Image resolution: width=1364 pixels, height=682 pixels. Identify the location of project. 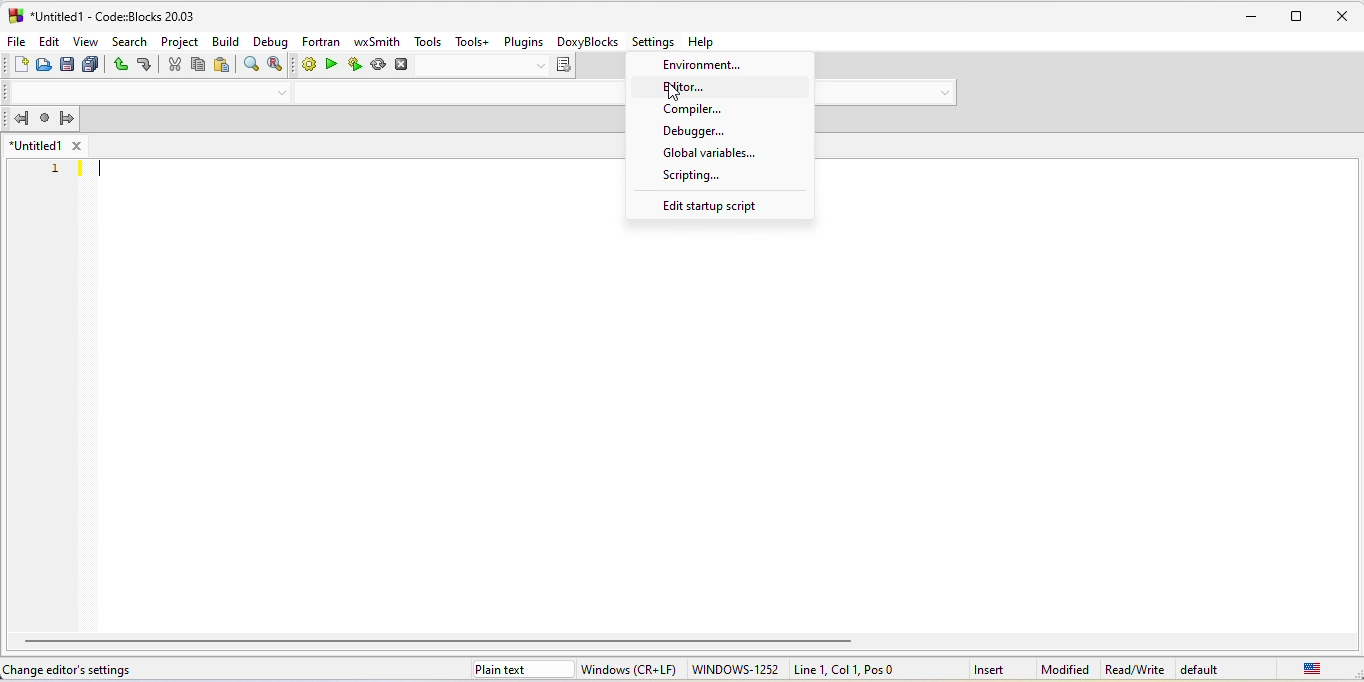
(179, 42).